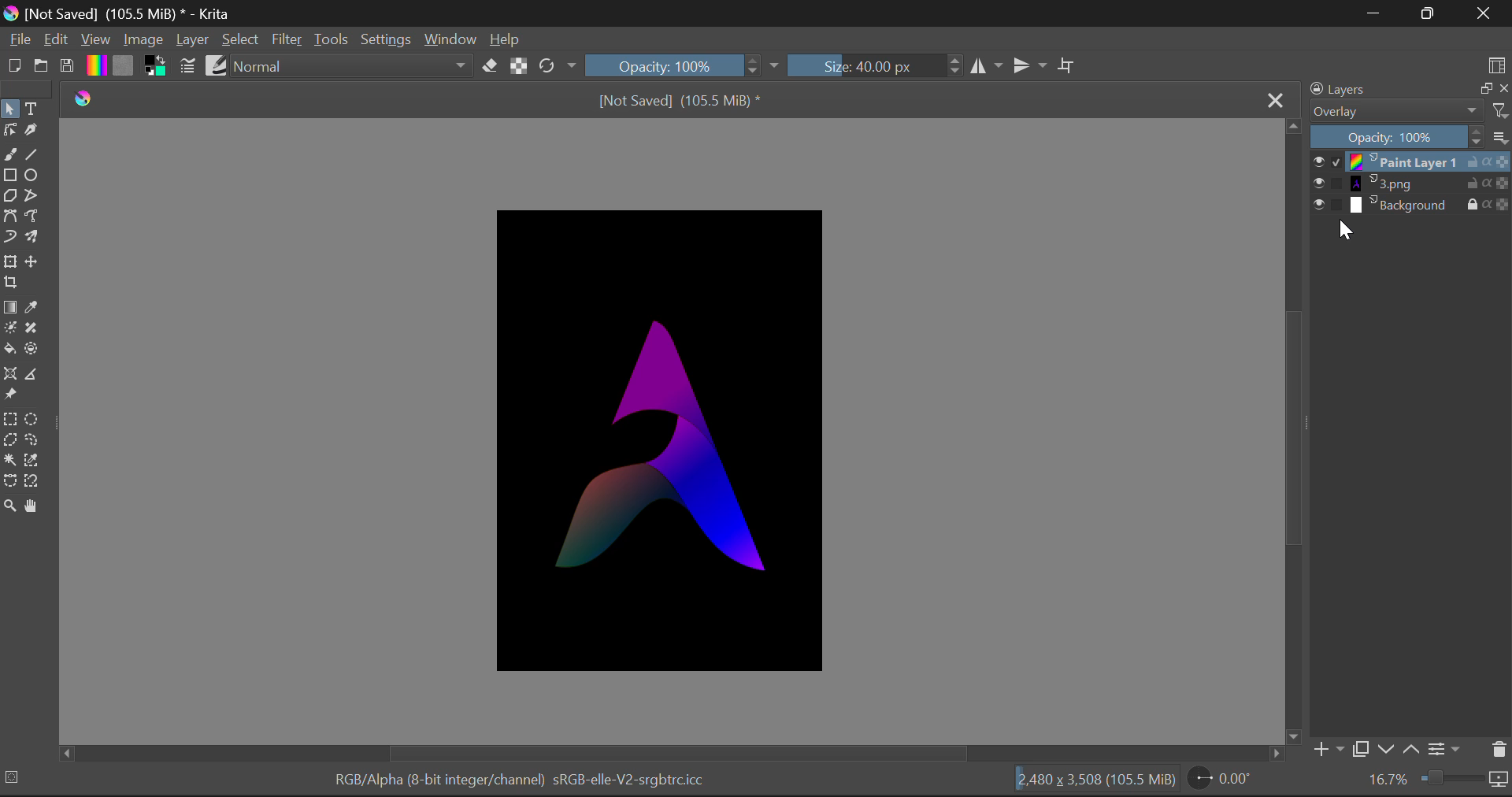  Describe the element at coordinates (243, 42) in the screenshot. I see `Select` at that location.